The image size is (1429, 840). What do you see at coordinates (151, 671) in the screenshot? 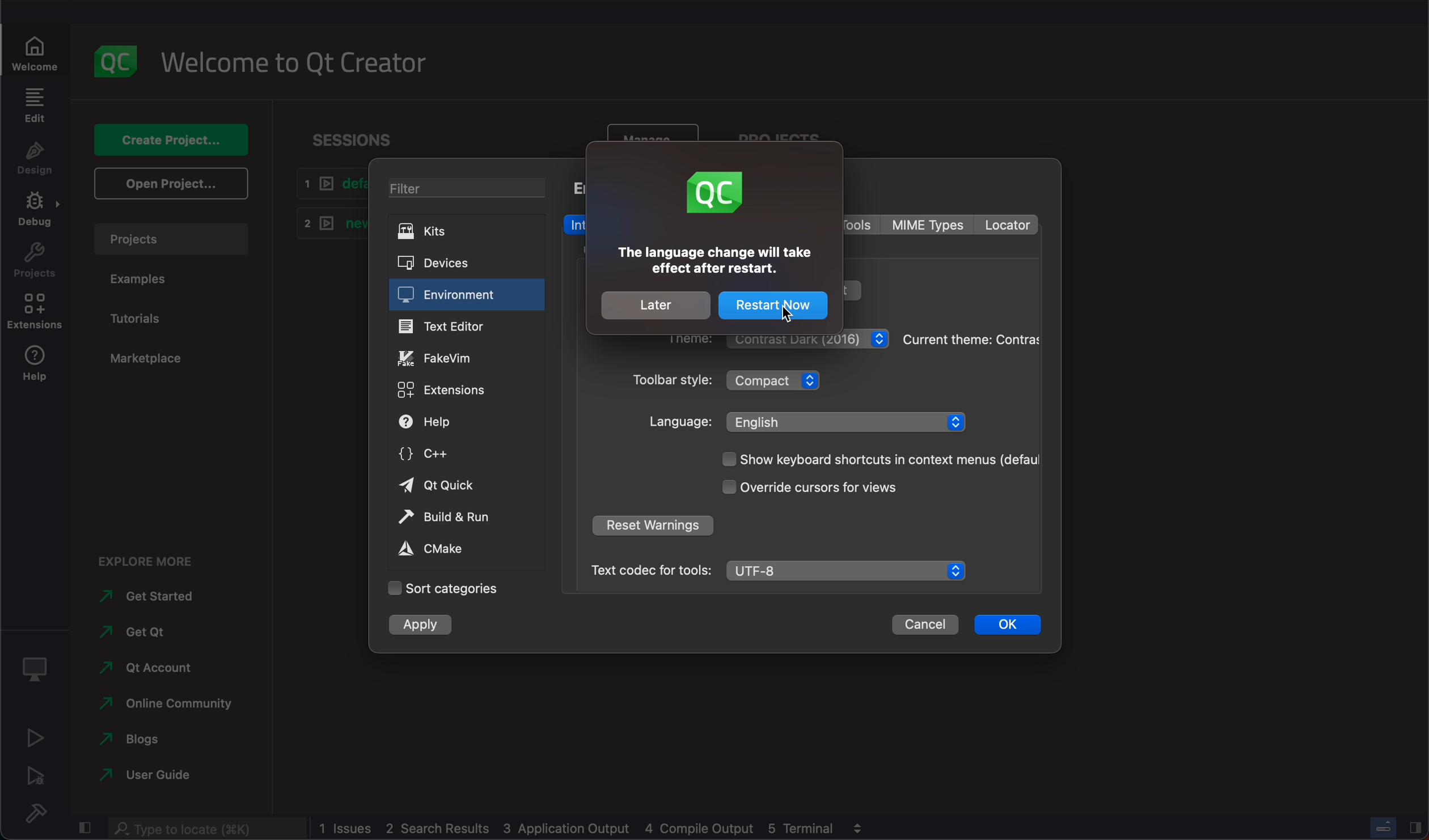
I see `qt account` at bounding box center [151, 671].